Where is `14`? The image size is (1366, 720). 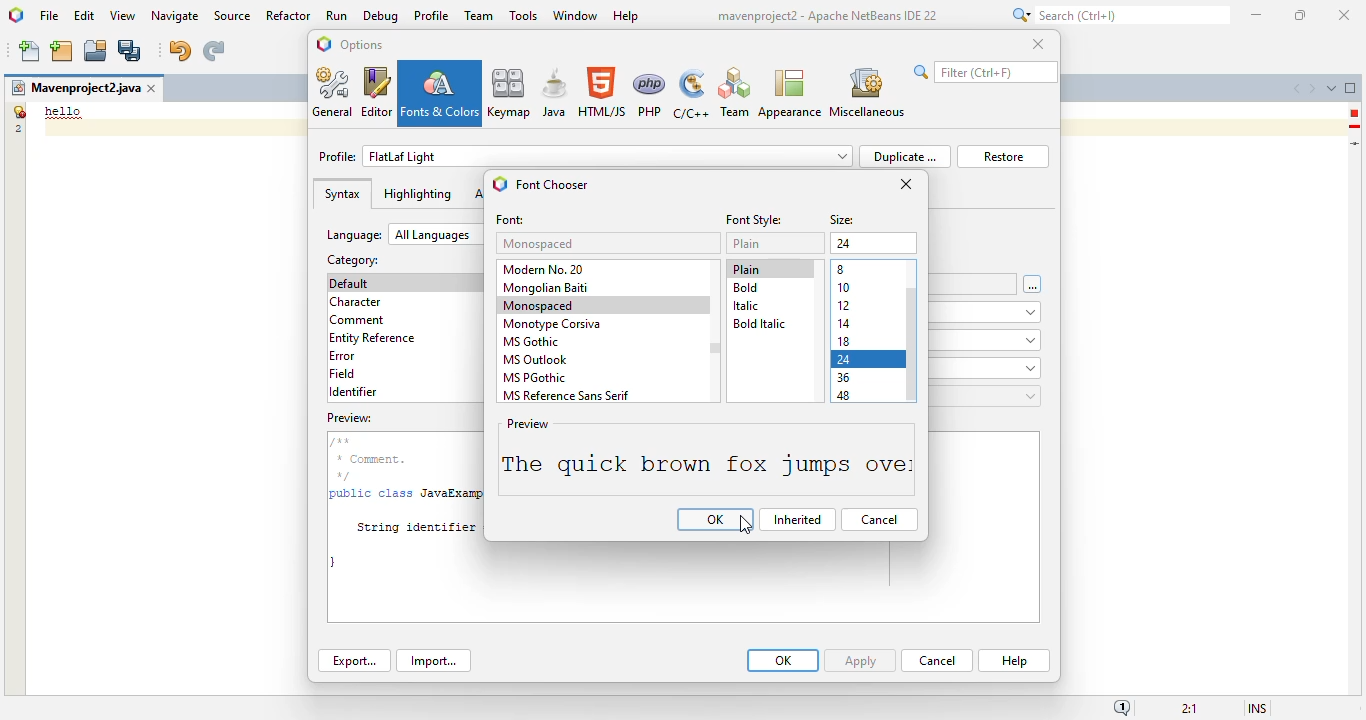 14 is located at coordinates (844, 324).